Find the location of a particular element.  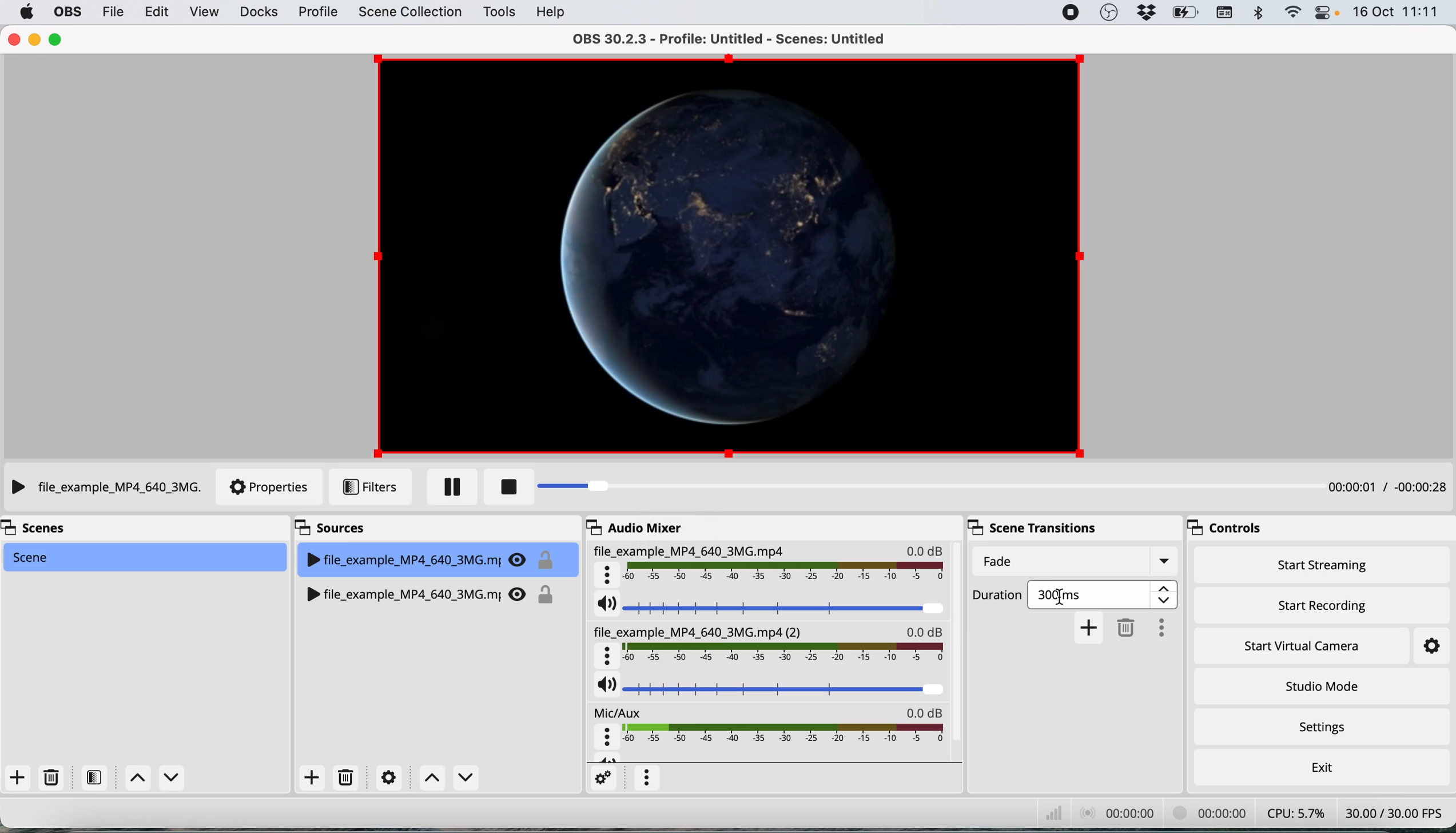

add transition is located at coordinates (1087, 626).